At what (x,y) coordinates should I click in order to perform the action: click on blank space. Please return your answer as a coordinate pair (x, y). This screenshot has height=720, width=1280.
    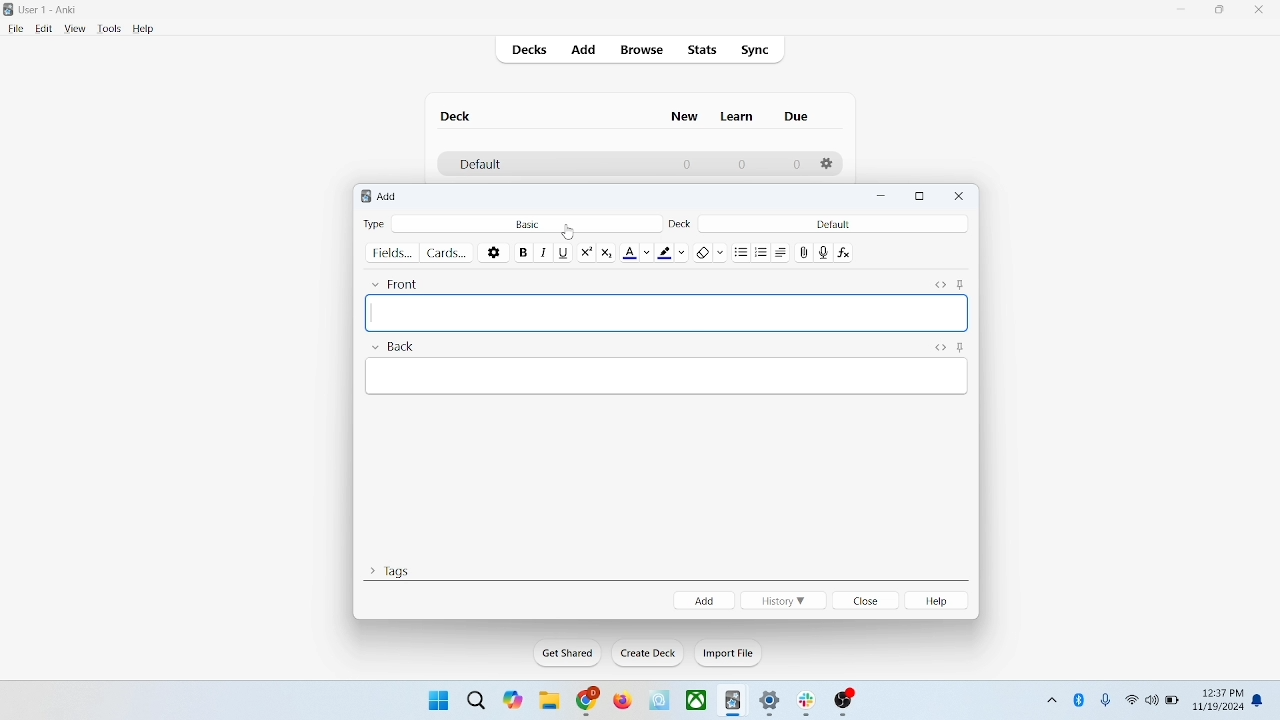
    Looking at the image, I should click on (665, 314).